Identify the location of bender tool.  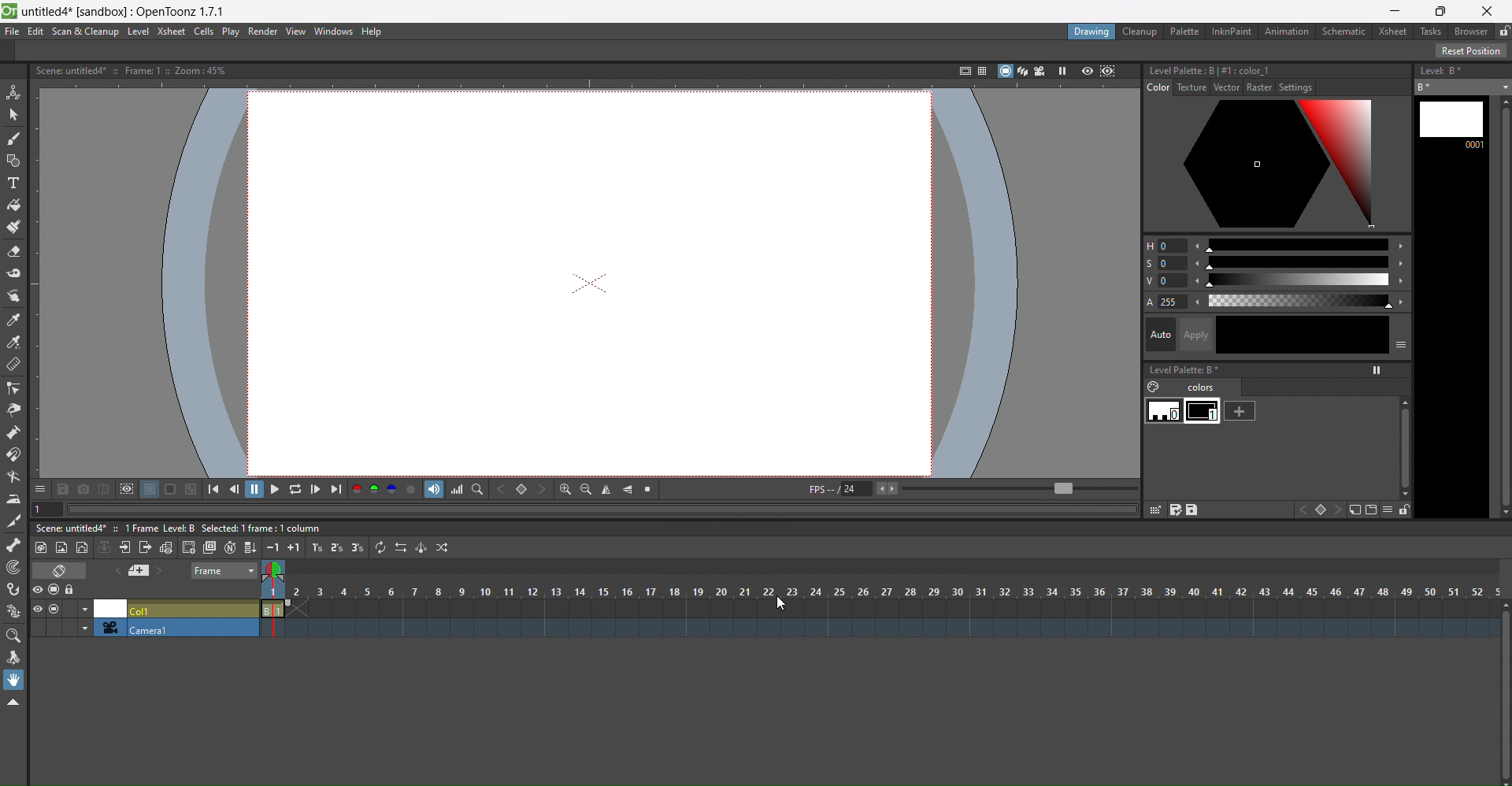
(14, 477).